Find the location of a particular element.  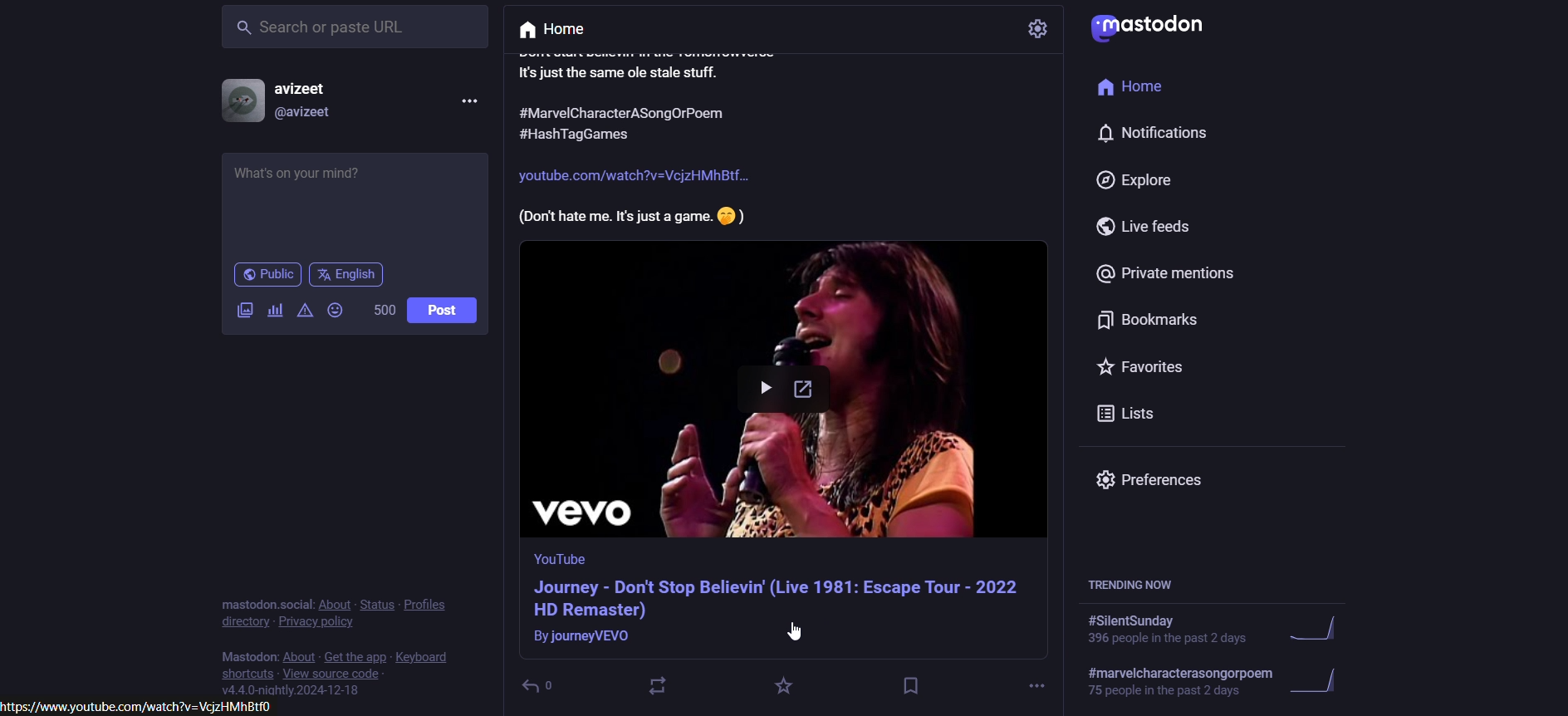

version is located at coordinates (292, 692).